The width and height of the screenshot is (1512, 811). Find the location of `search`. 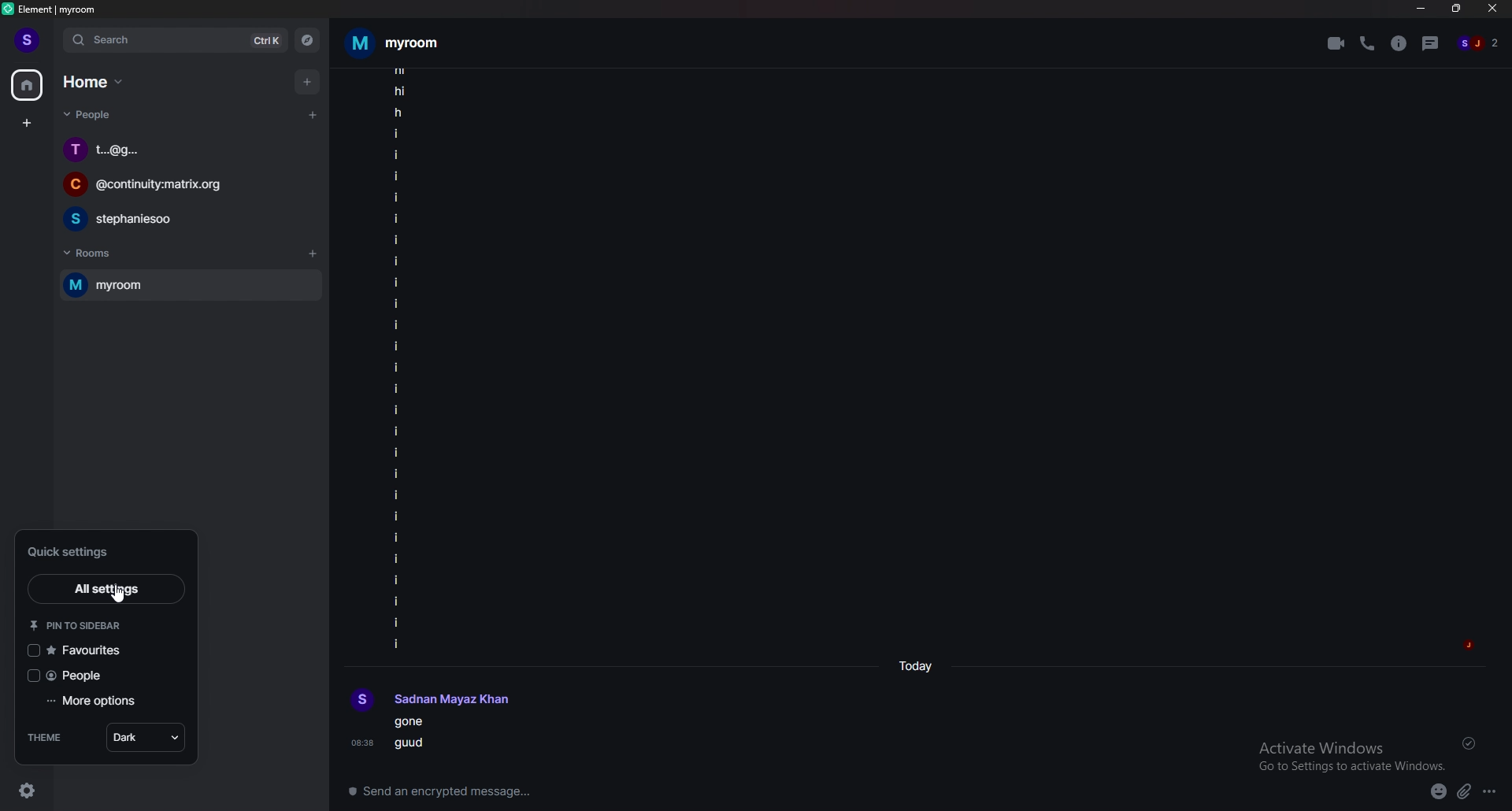

search is located at coordinates (174, 40).